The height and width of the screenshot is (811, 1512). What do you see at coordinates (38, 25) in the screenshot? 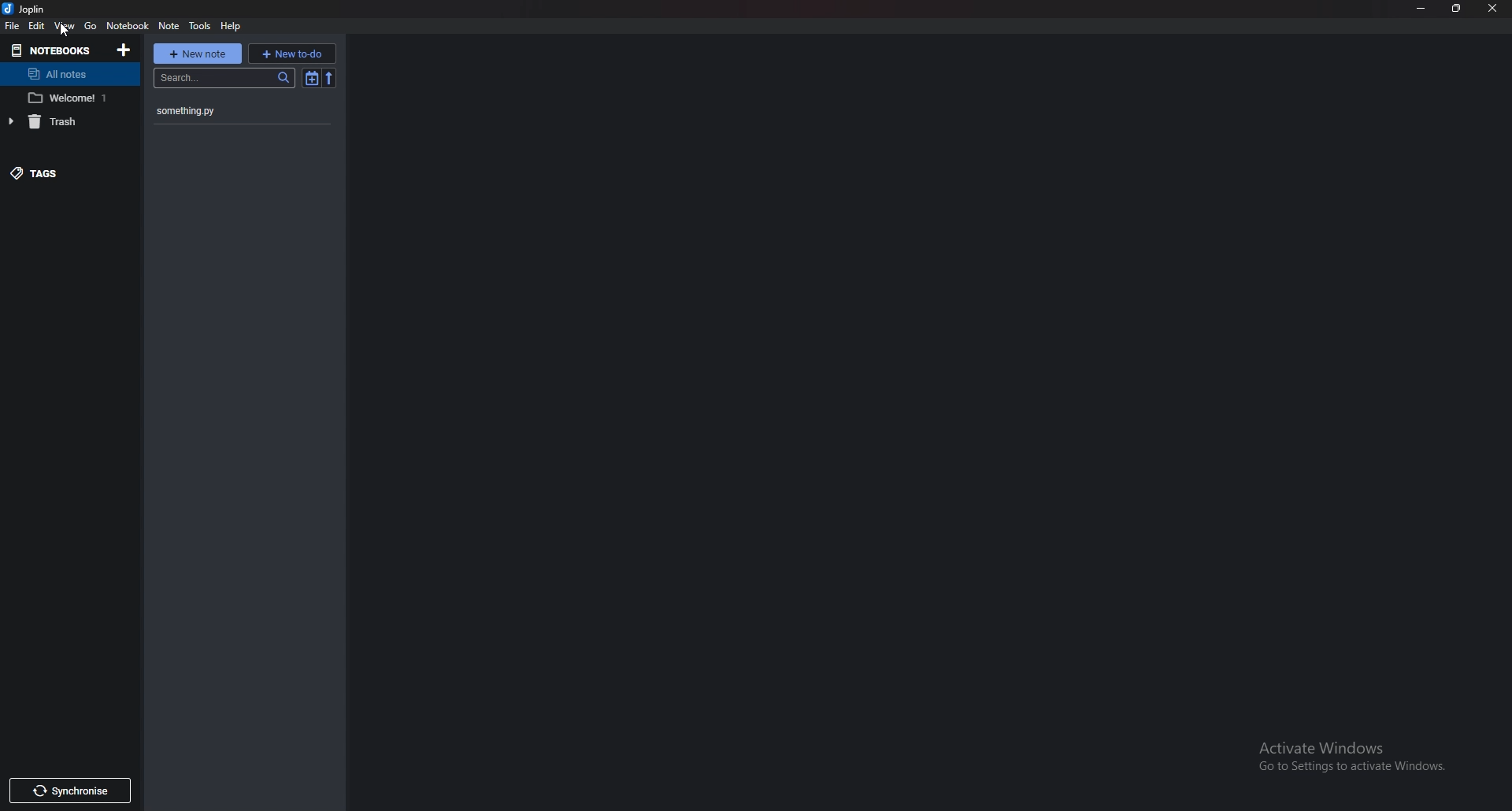
I see `edit` at bounding box center [38, 25].